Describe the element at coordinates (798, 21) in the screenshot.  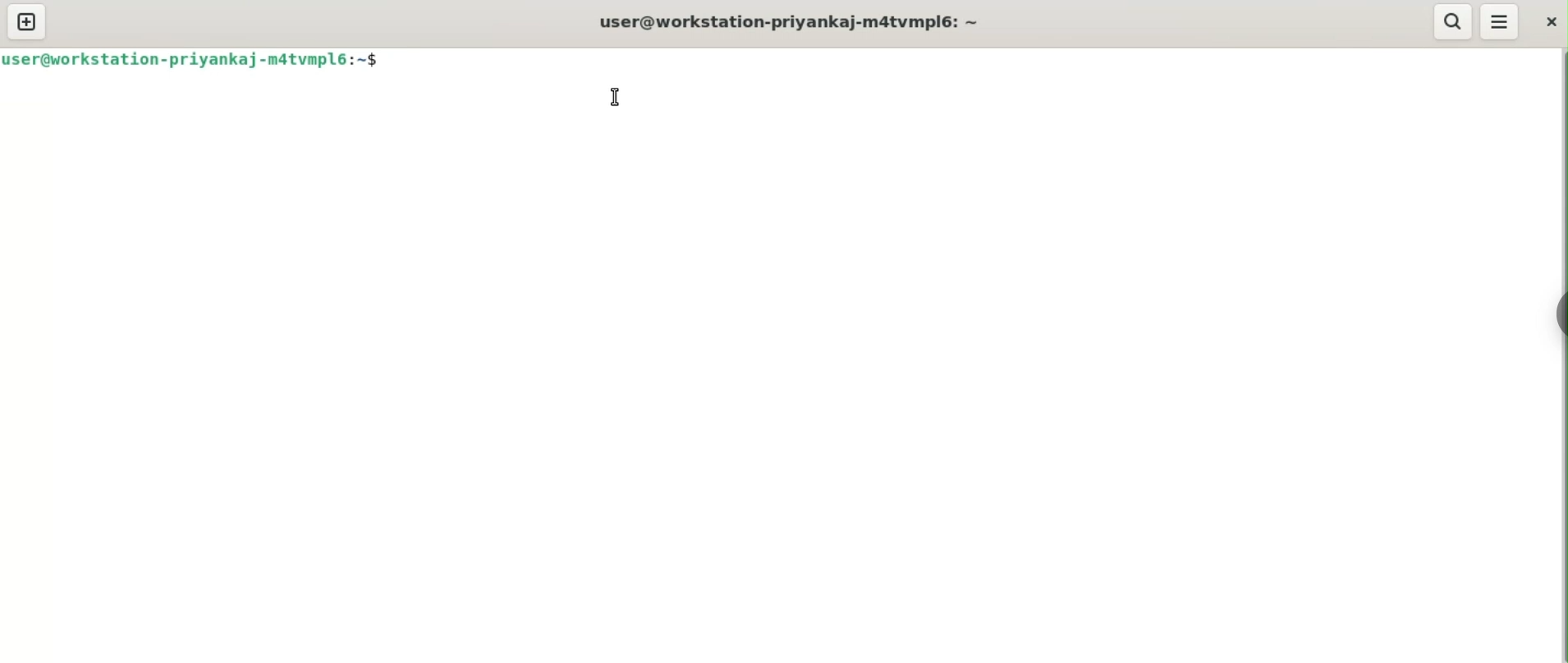
I see `user@workstation-priyankaj-m4tvmpl6: ~` at that location.